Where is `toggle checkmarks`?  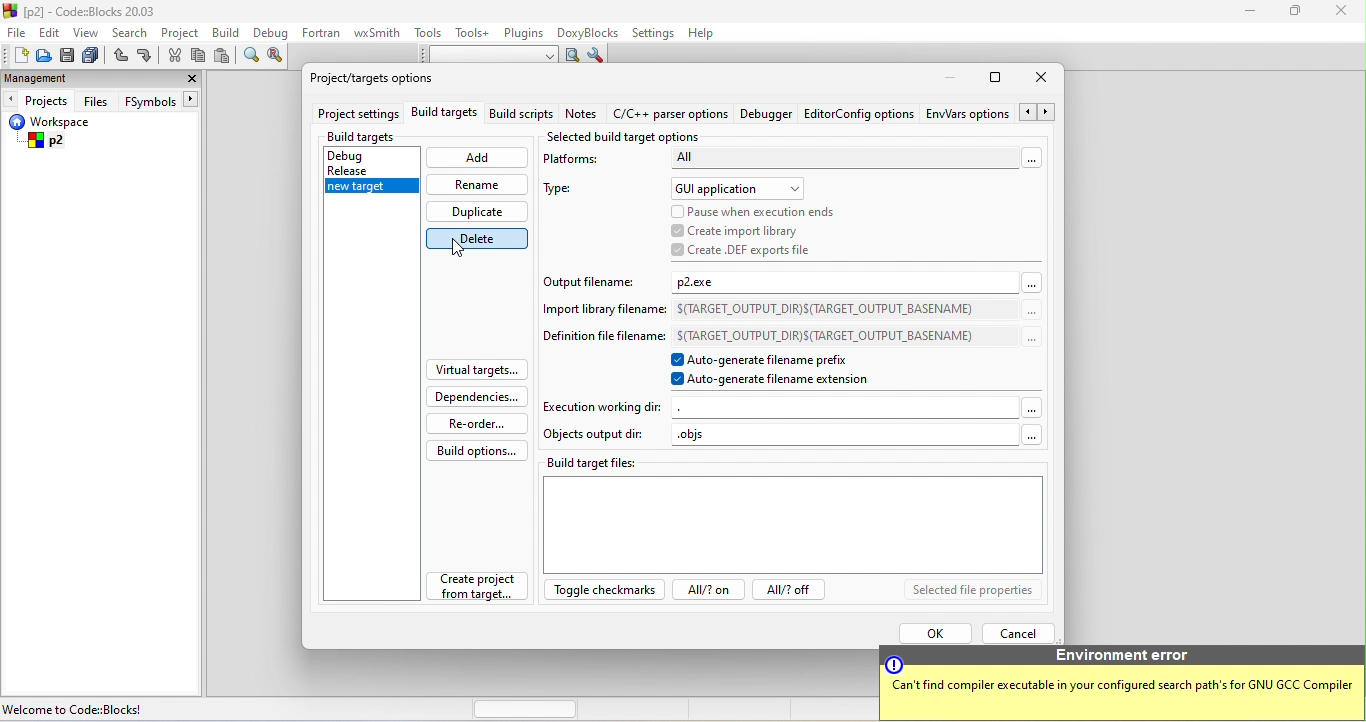 toggle checkmarks is located at coordinates (601, 593).